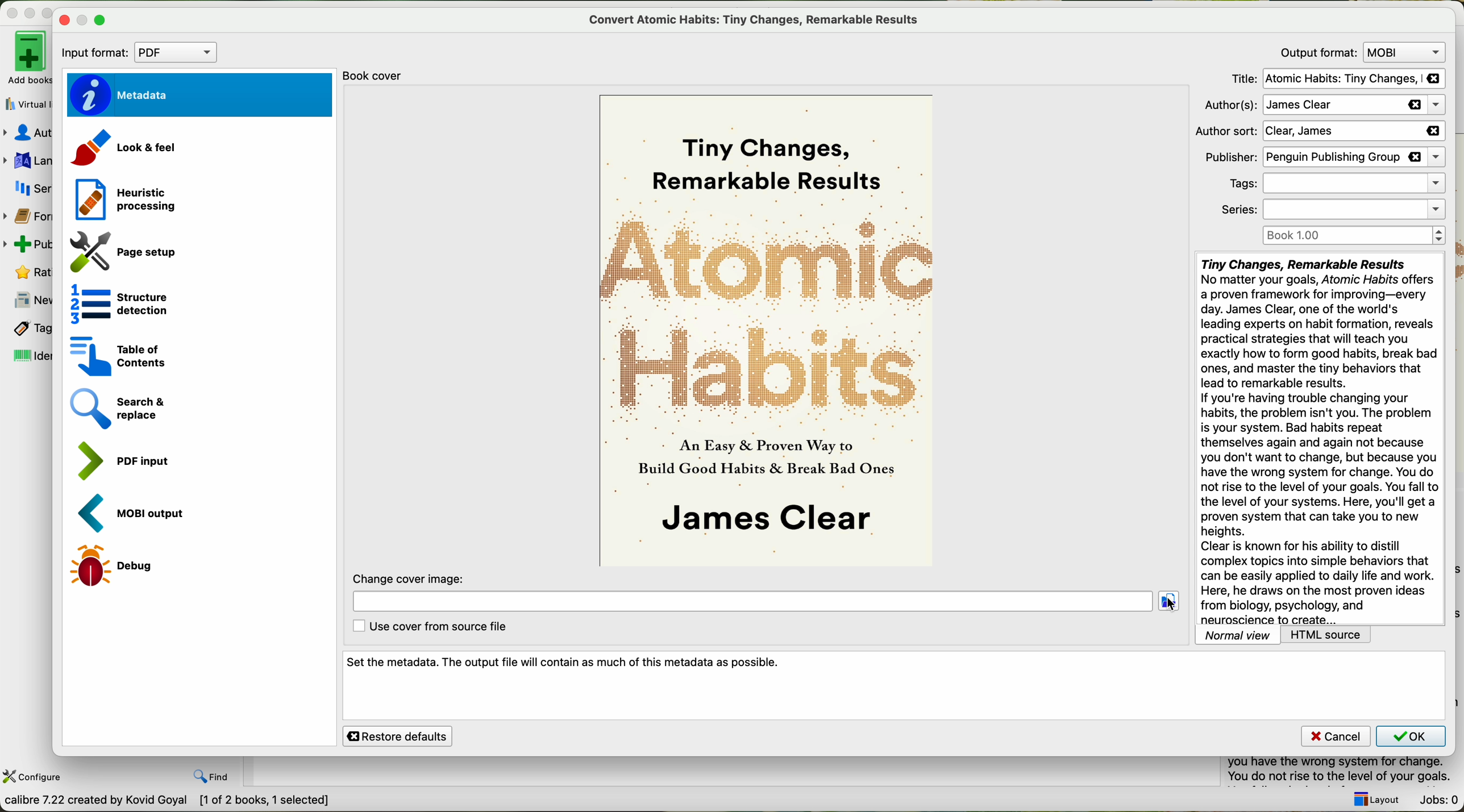 The image size is (1464, 812). I want to click on look and feel, so click(129, 147).